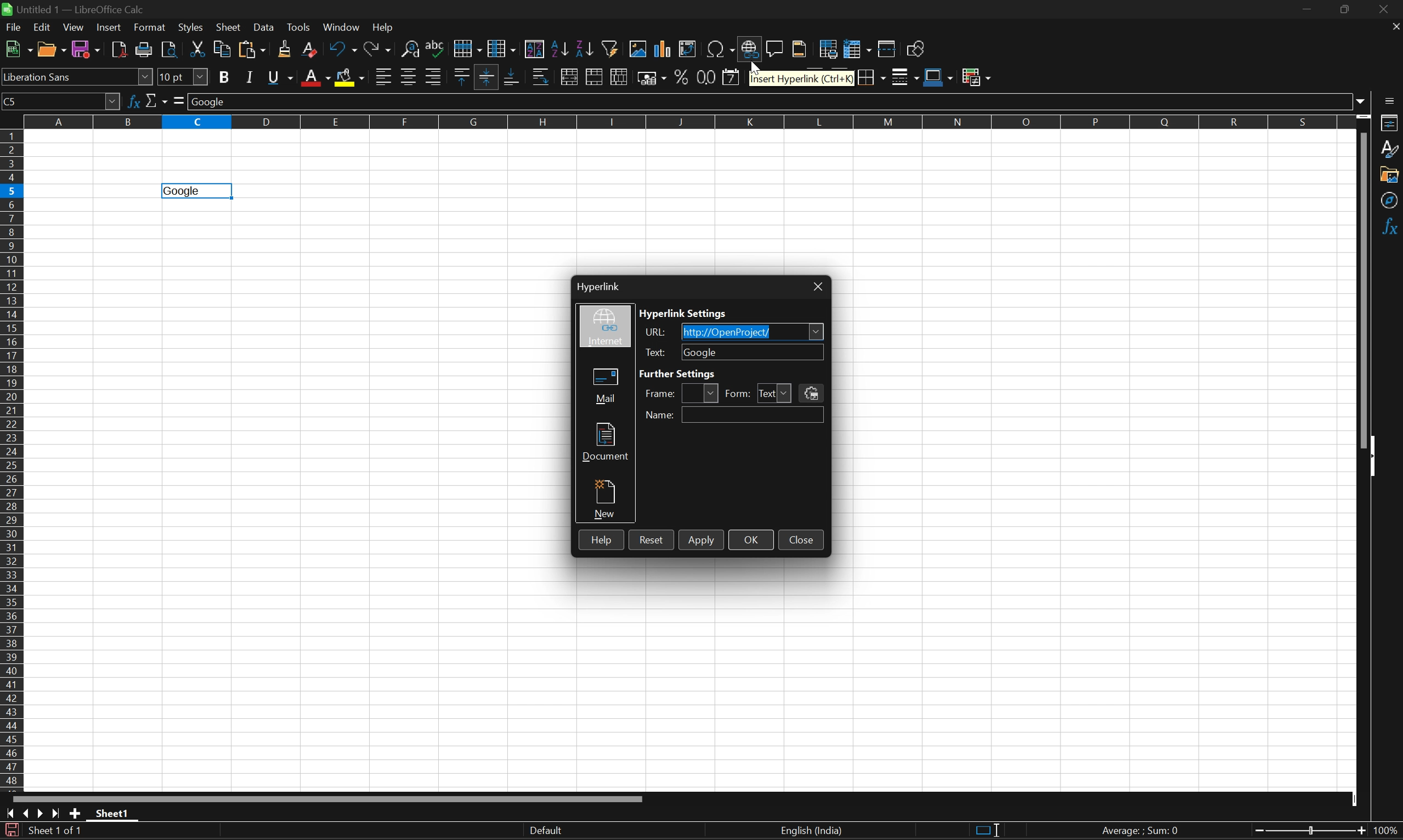  I want to click on Styles, so click(191, 29).